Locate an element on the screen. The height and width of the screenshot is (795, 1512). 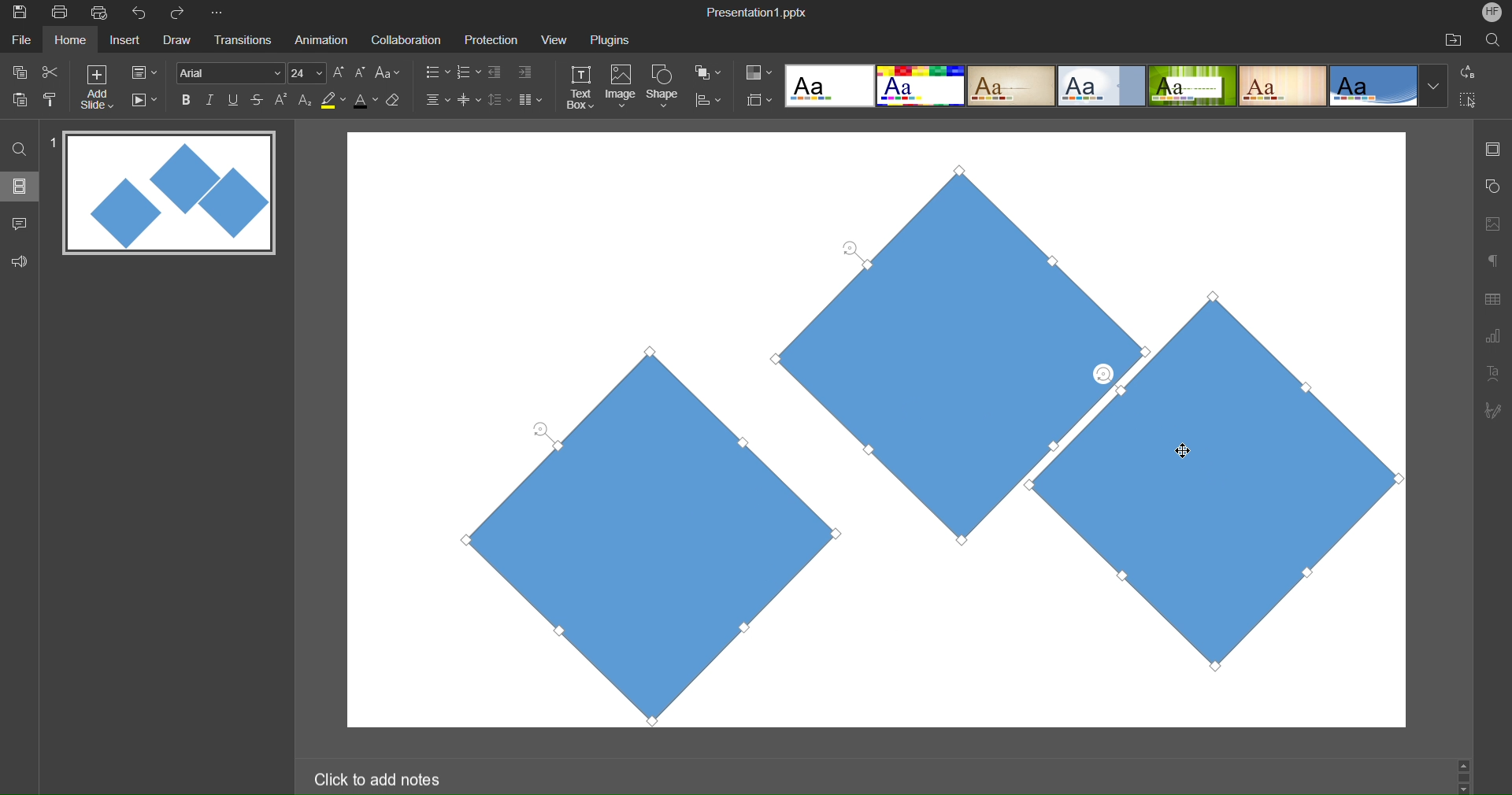
Superscript is located at coordinates (283, 99).